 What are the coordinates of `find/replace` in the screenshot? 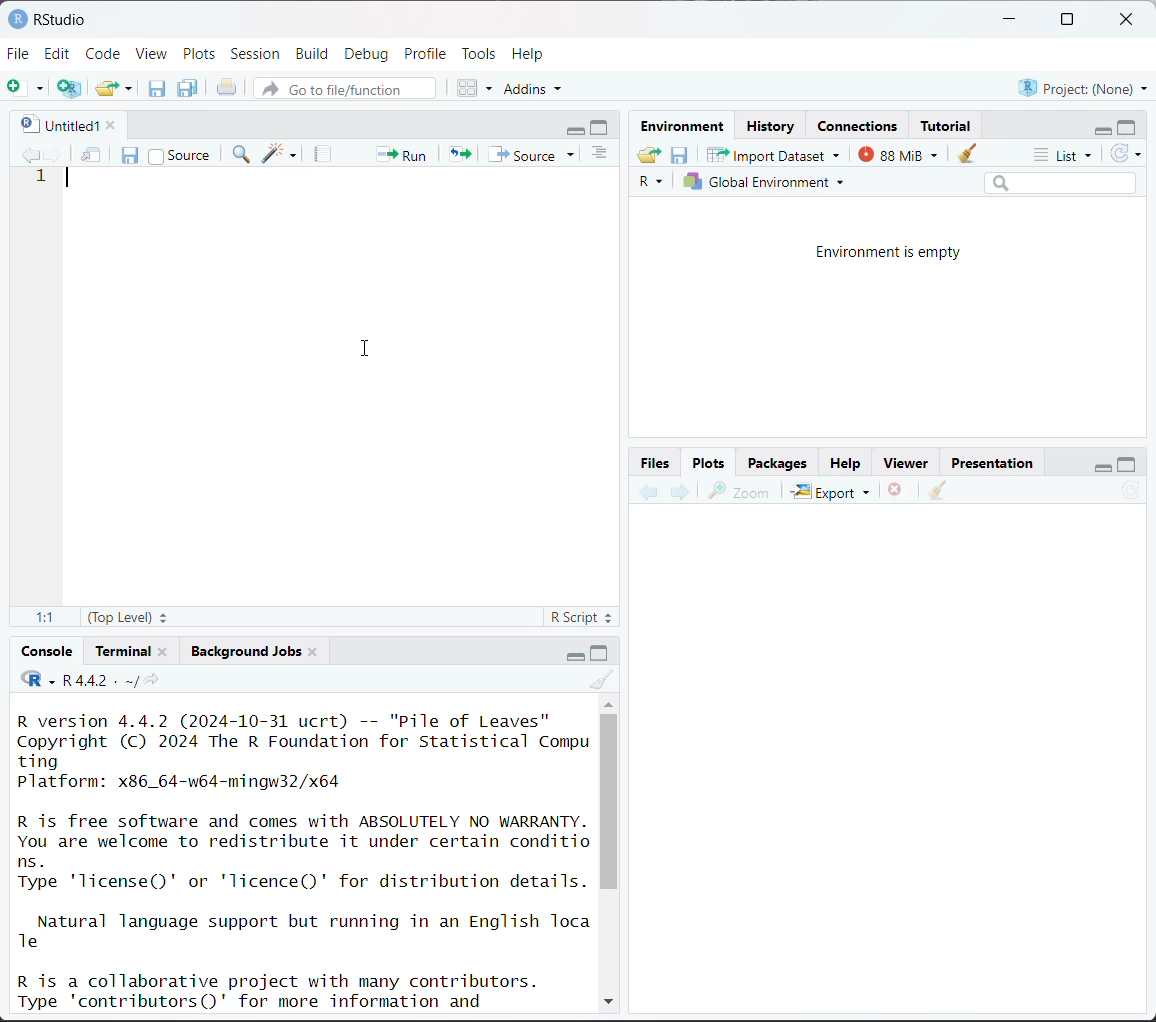 It's located at (243, 156).